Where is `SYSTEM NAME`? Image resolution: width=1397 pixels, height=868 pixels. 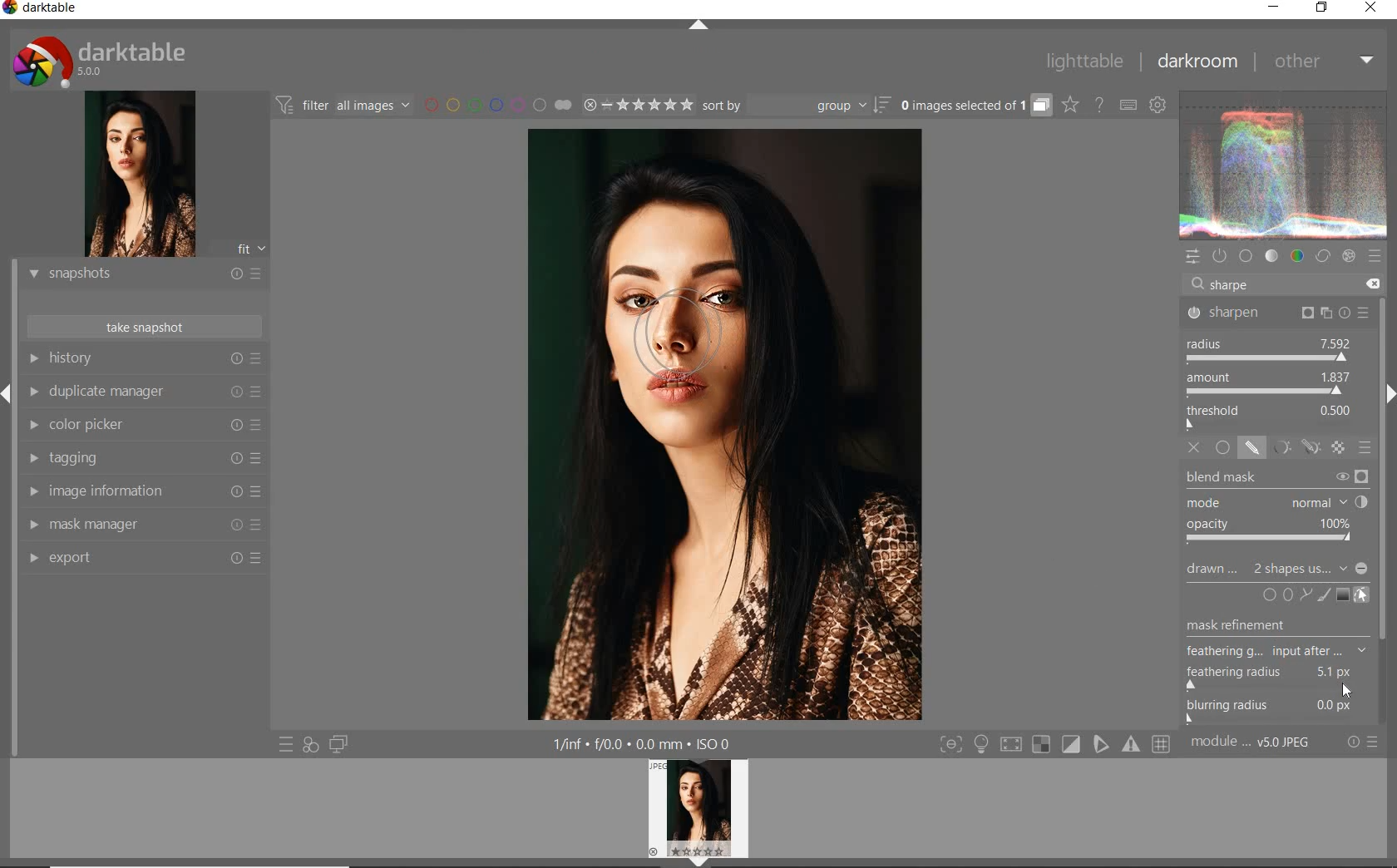 SYSTEM NAME is located at coordinates (46, 10).